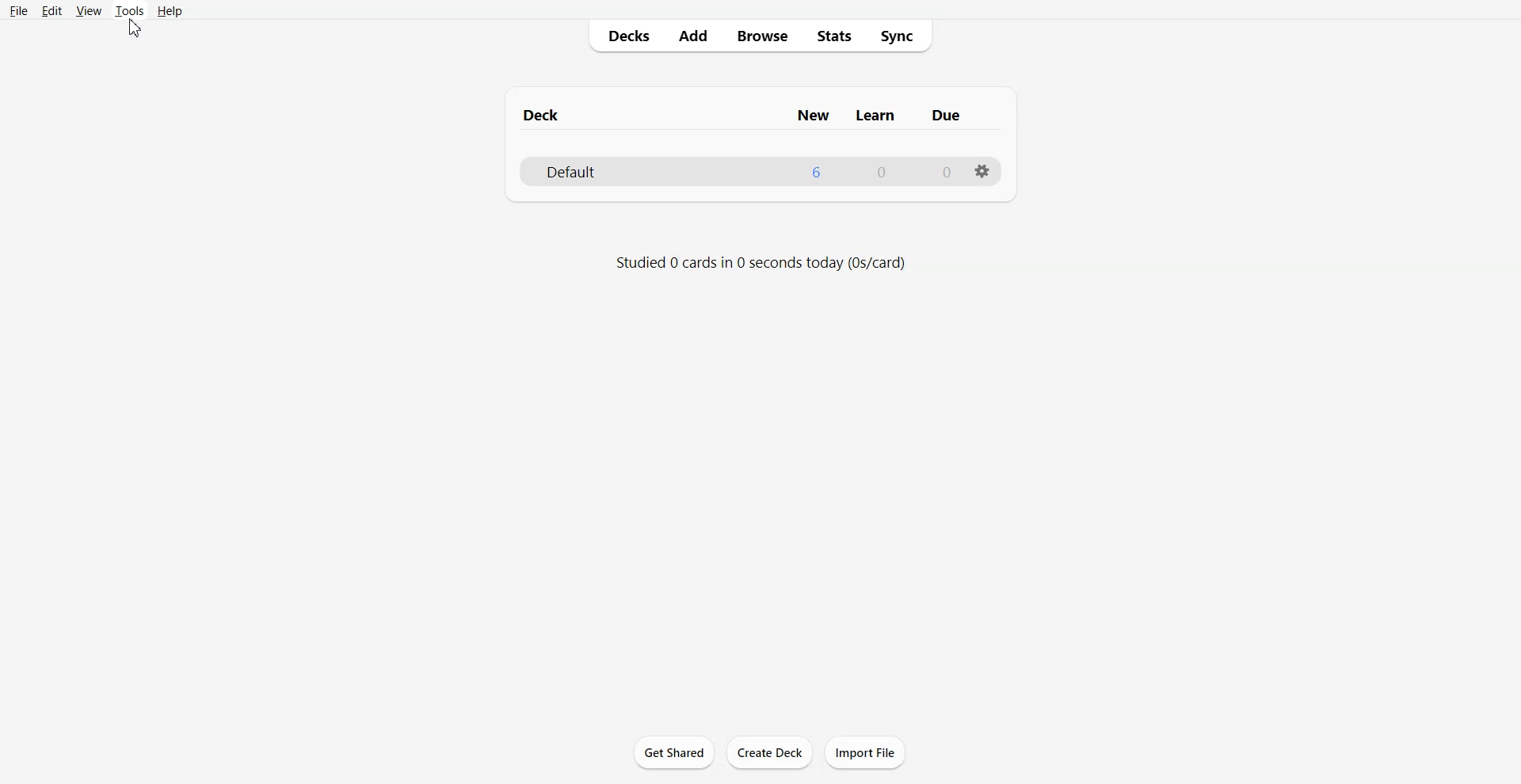 The height and width of the screenshot is (784, 1521). What do you see at coordinates (902, 36) in the screenshot?
I see `Sync` at bounding box center [902, 36].